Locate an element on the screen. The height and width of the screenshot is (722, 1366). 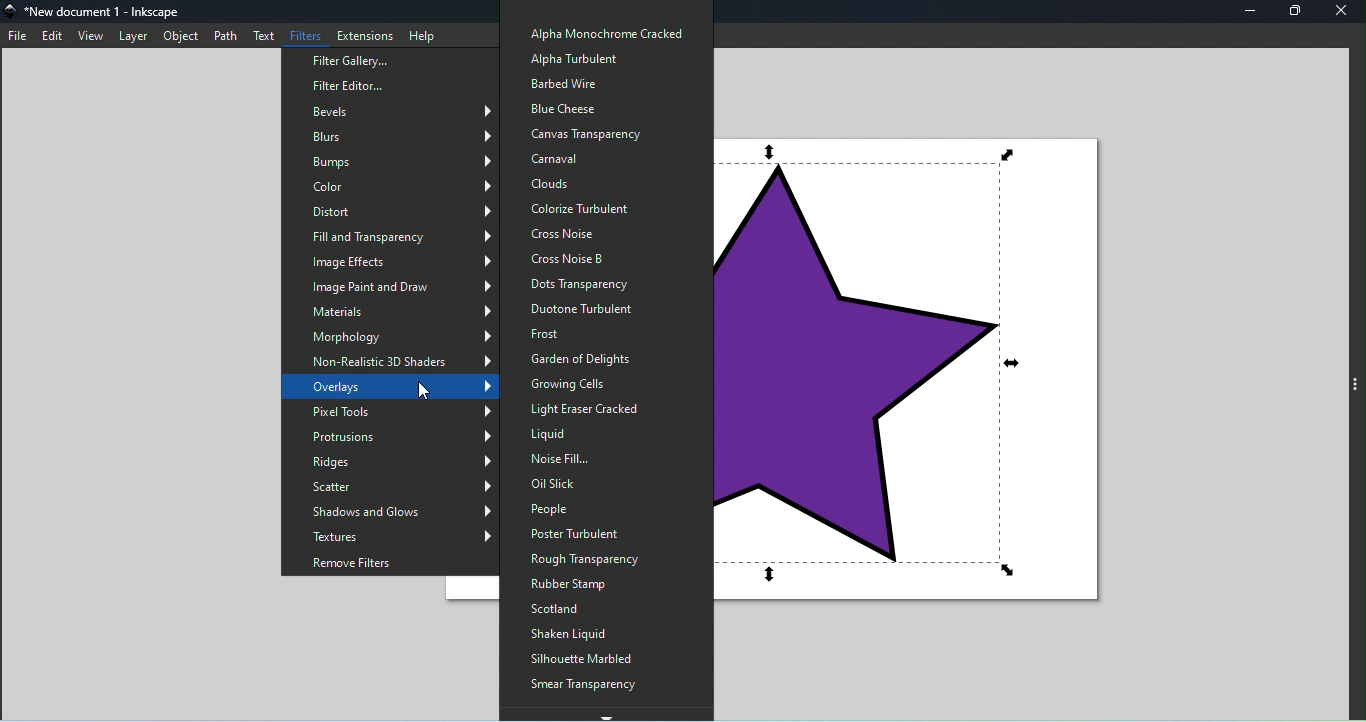
Morphology is located at coordinates (400, 336).